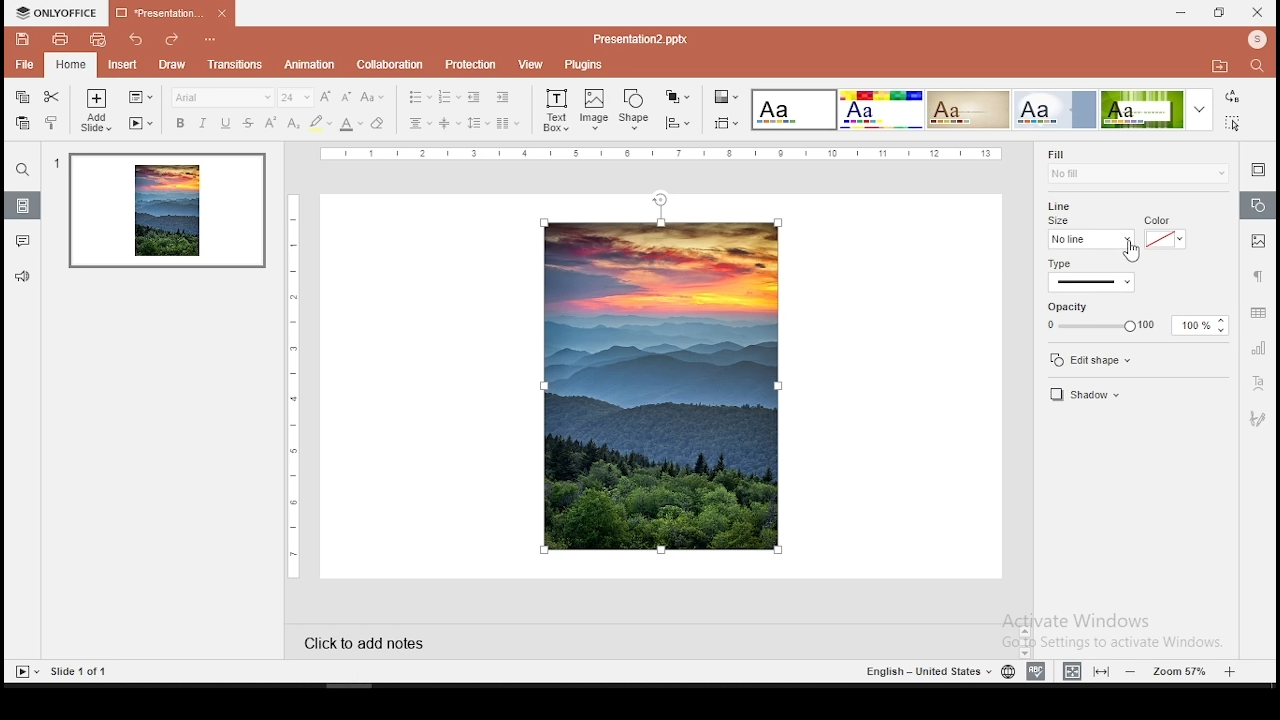  Describe the element at coordinates (1257, 417) in the screenshot. I see `` at that location.